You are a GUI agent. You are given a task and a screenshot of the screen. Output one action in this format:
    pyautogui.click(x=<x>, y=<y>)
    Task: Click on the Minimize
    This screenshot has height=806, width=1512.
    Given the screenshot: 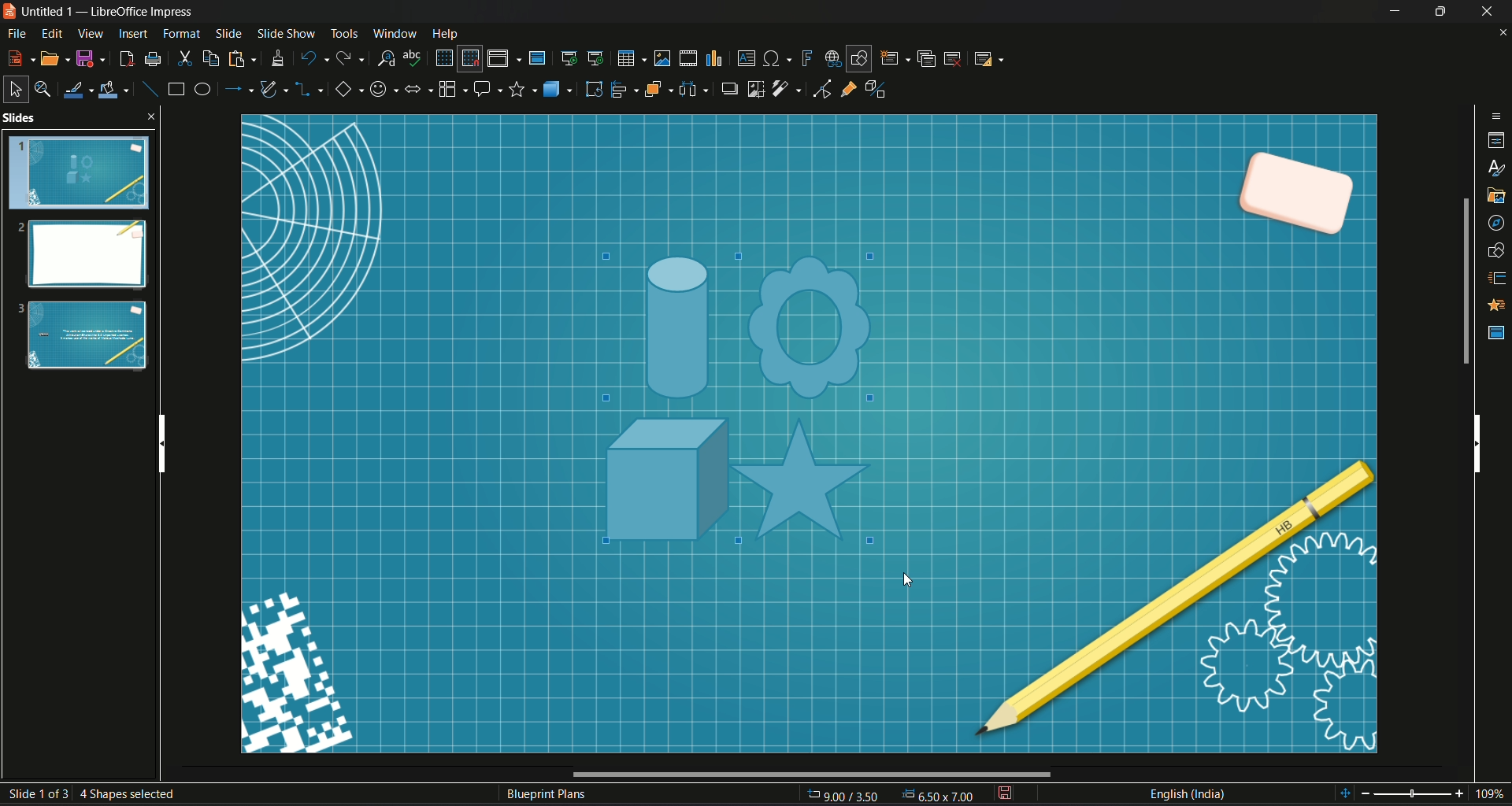 What is the action you would take?
    pyautogui.click(x=1395, y=11)
    